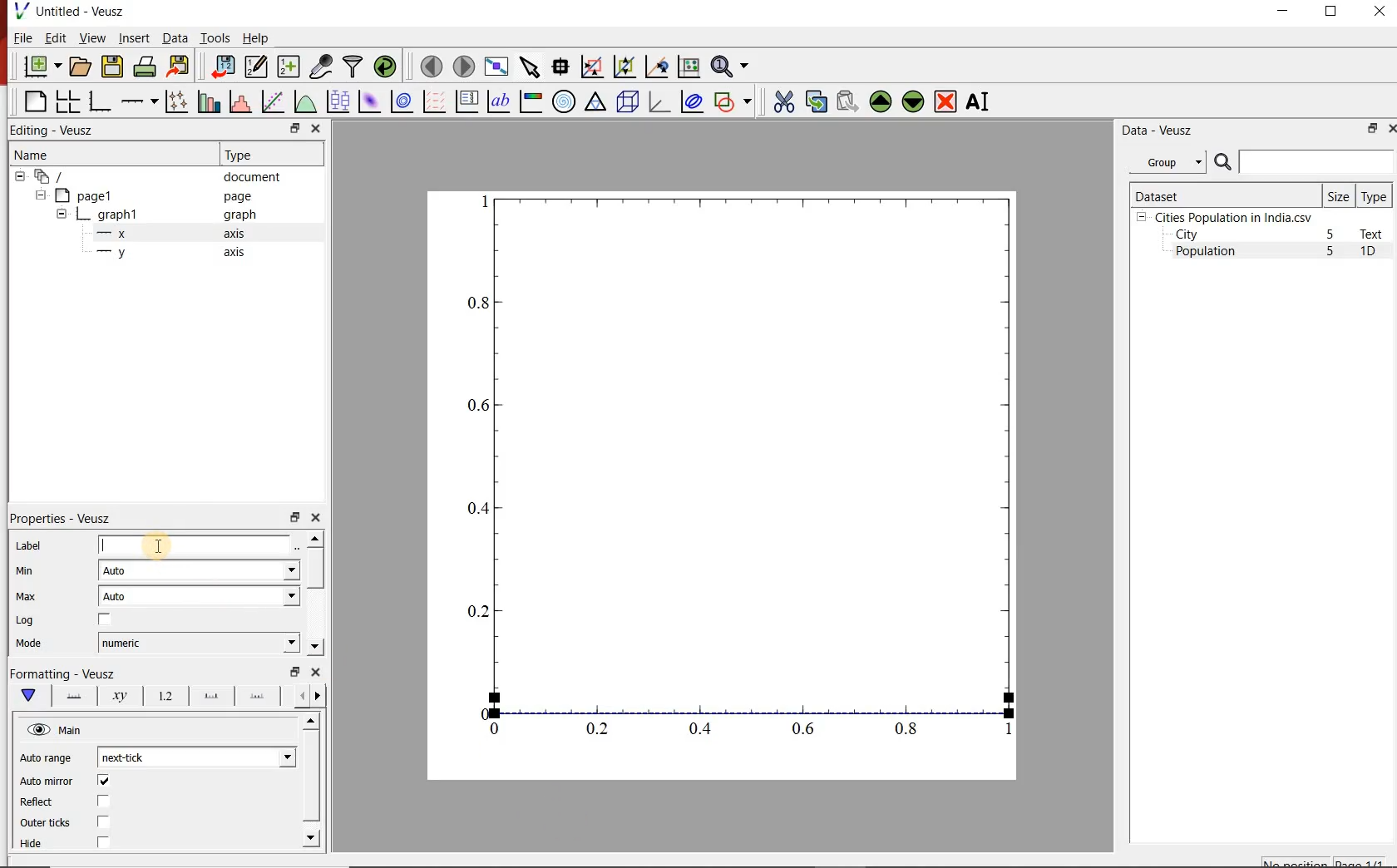  What do you see at coordinates (590, 66) in the screenshot?
I see `click or draw a rectangle to zoom graph indexes` at bounding box center [590, 66].